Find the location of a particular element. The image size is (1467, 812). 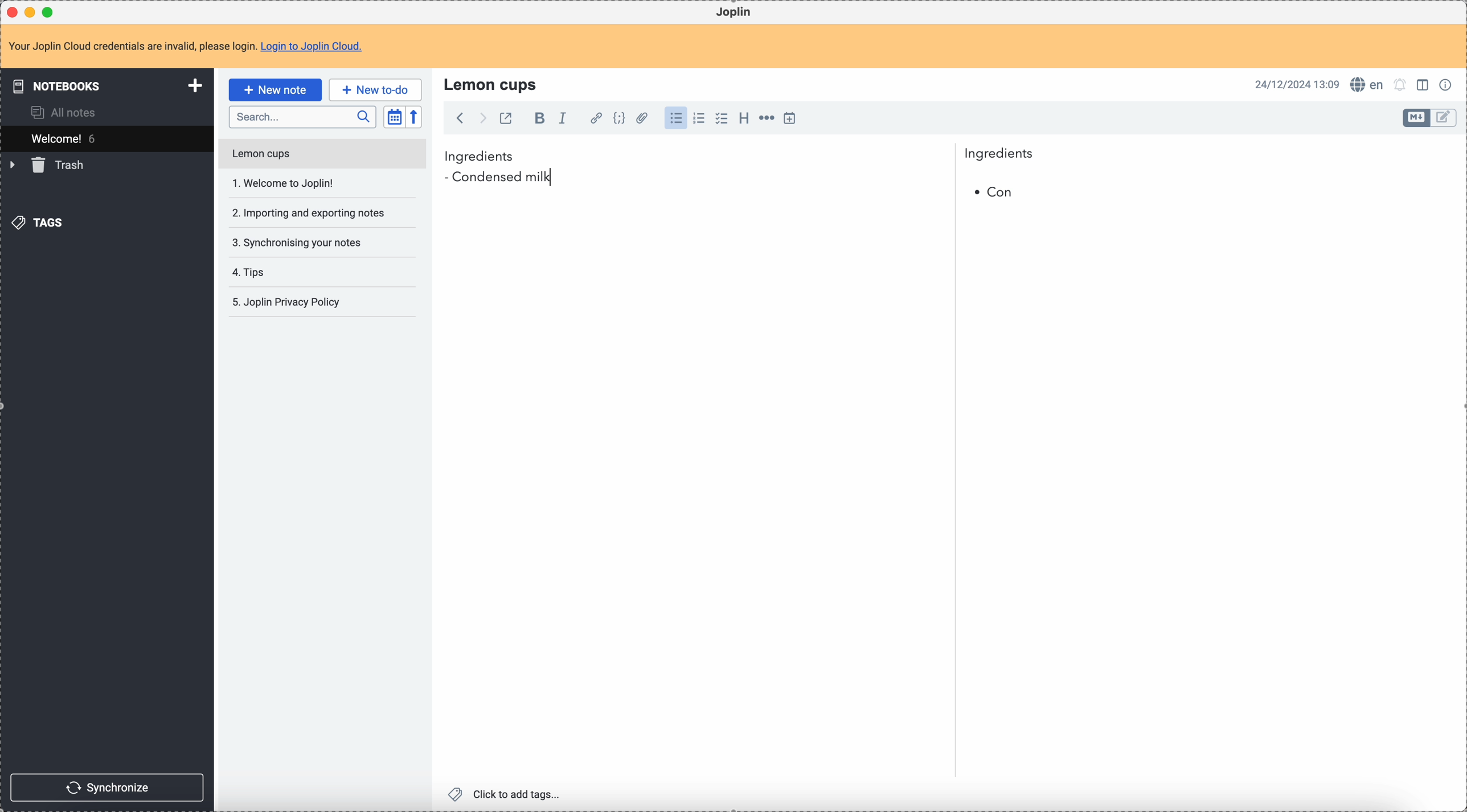

toggle edit layout is located at coordinates (1417, 118).